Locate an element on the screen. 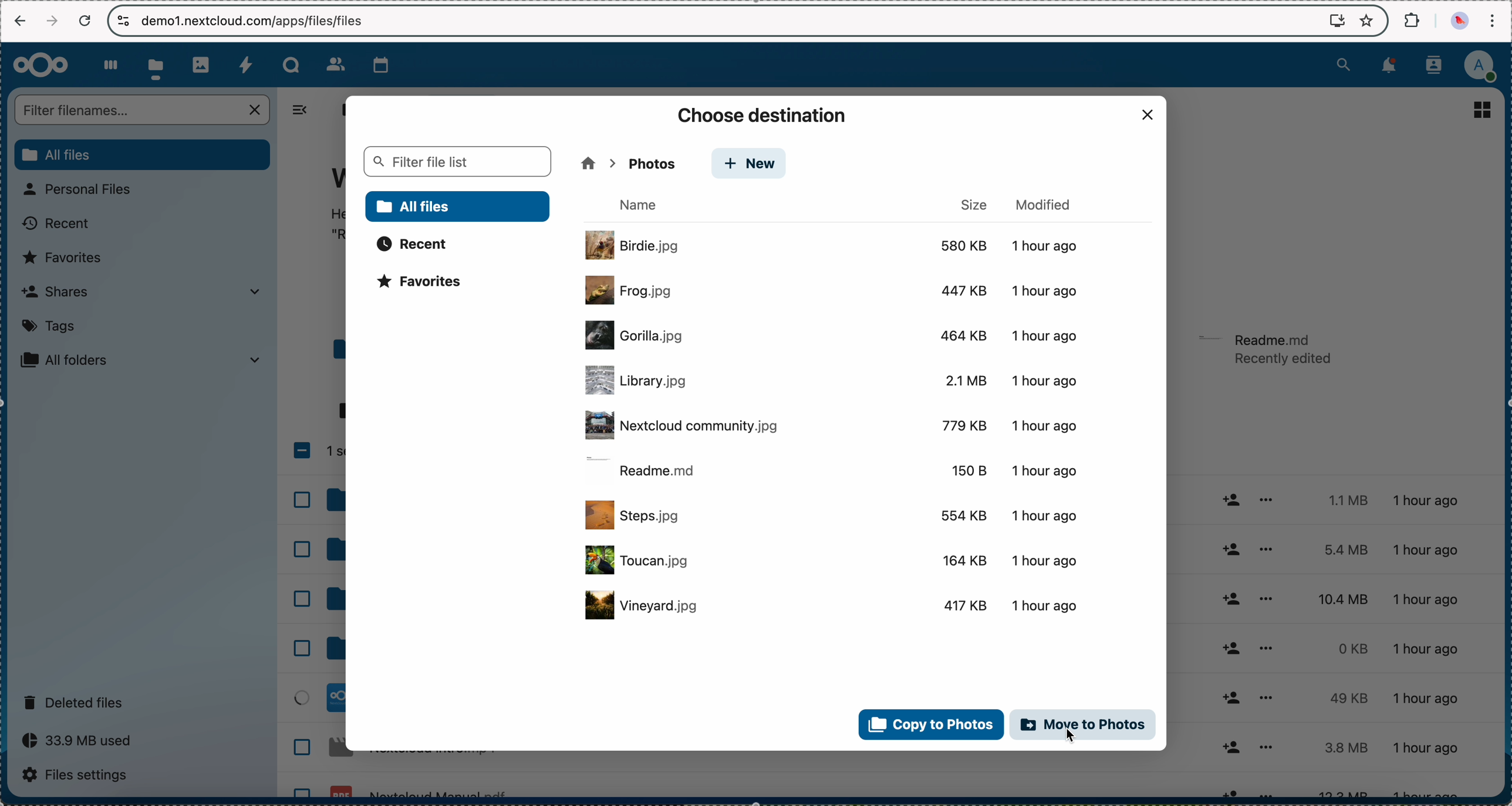 Image resolution: width=1512 pixels, height=806 pixels. 33.9 MB used is located at coordinates (81, 740).